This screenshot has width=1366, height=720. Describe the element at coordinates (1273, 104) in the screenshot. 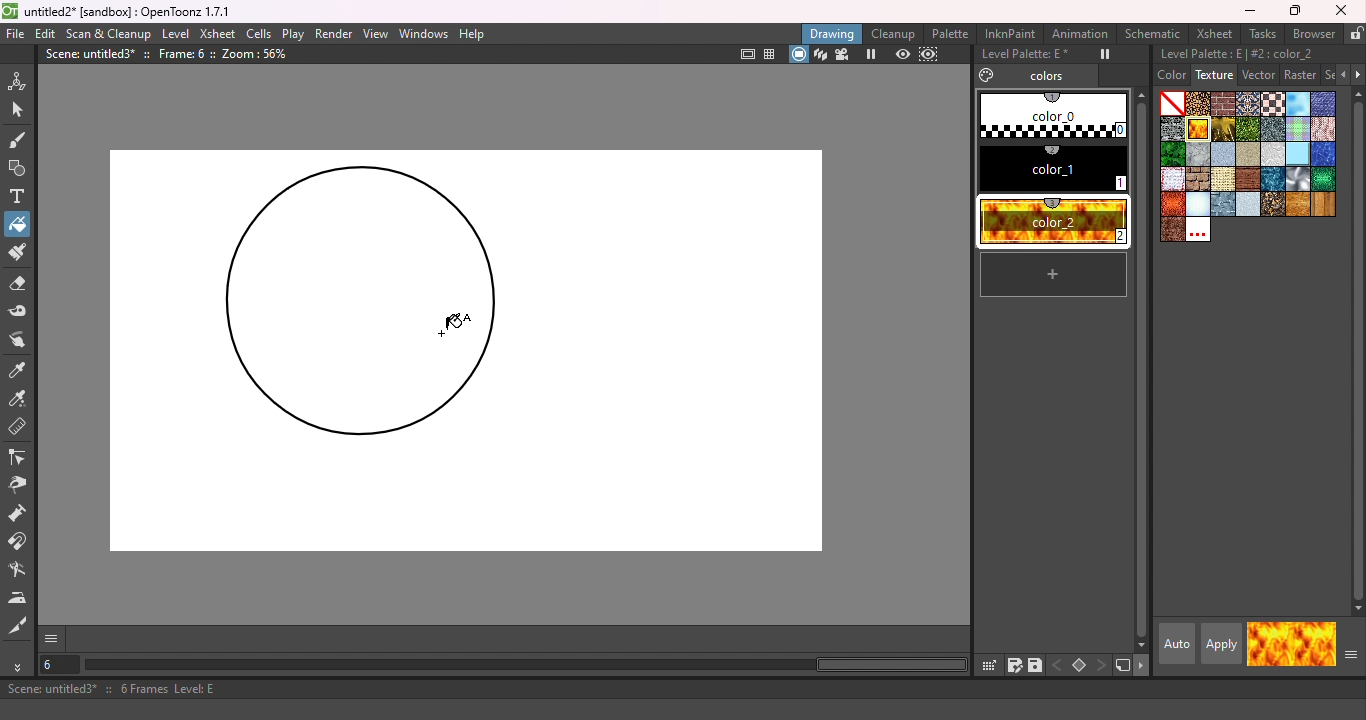

I see `Chessboard.bmp` at that location.